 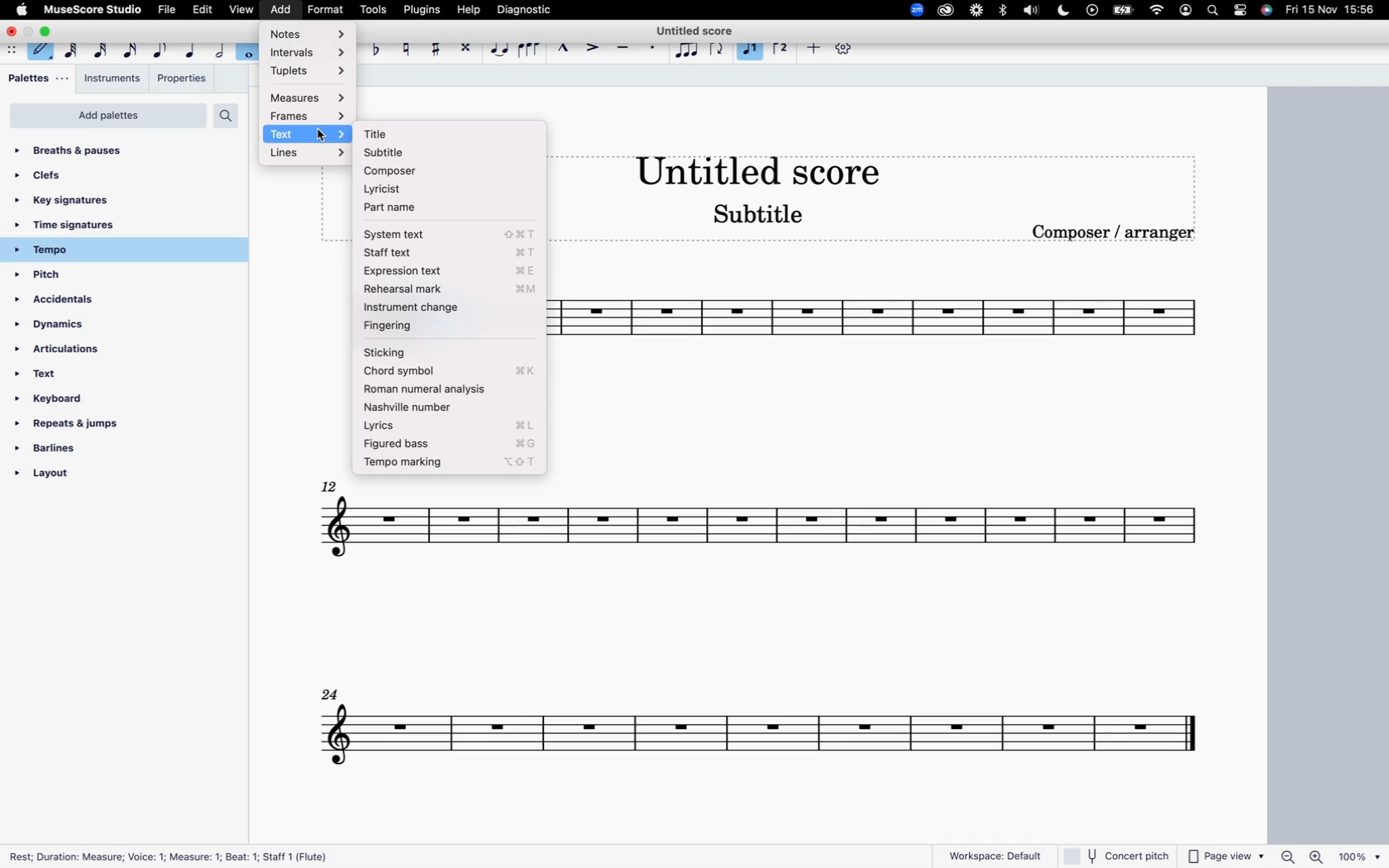 I want to click on properties, so click(x=181, y=79).